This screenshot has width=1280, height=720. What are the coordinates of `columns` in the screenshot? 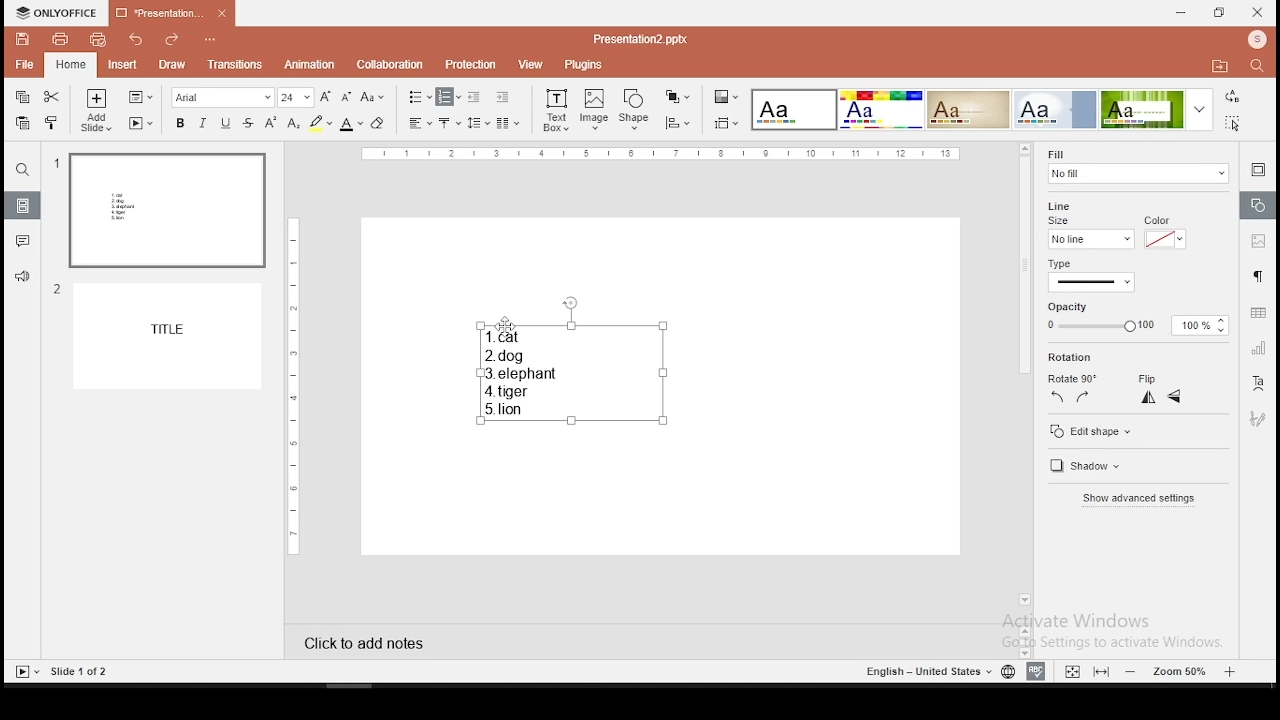 It's located at (508, 122).